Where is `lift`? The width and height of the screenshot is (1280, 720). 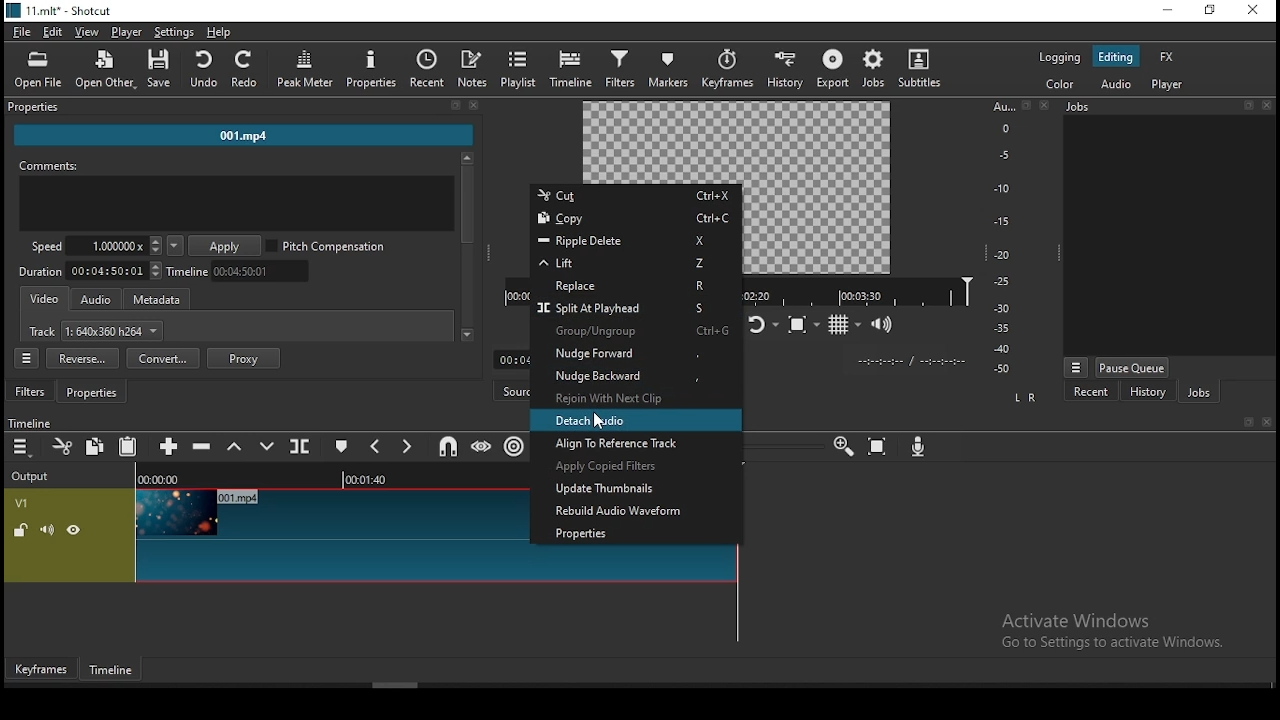
lift is located at coordinates (630, 262).